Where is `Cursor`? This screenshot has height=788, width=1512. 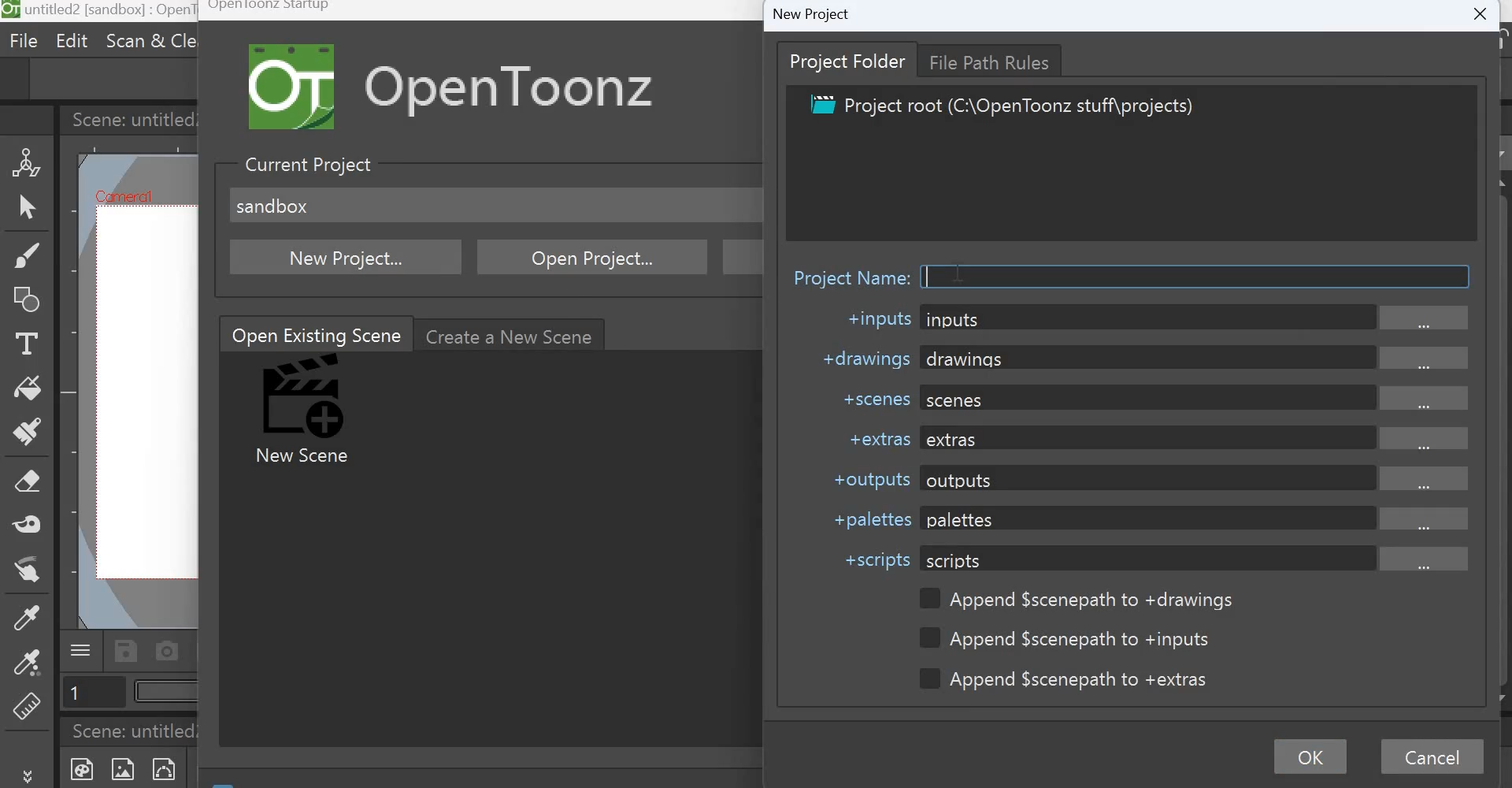
Cursor is located at coordinates (928, 274).